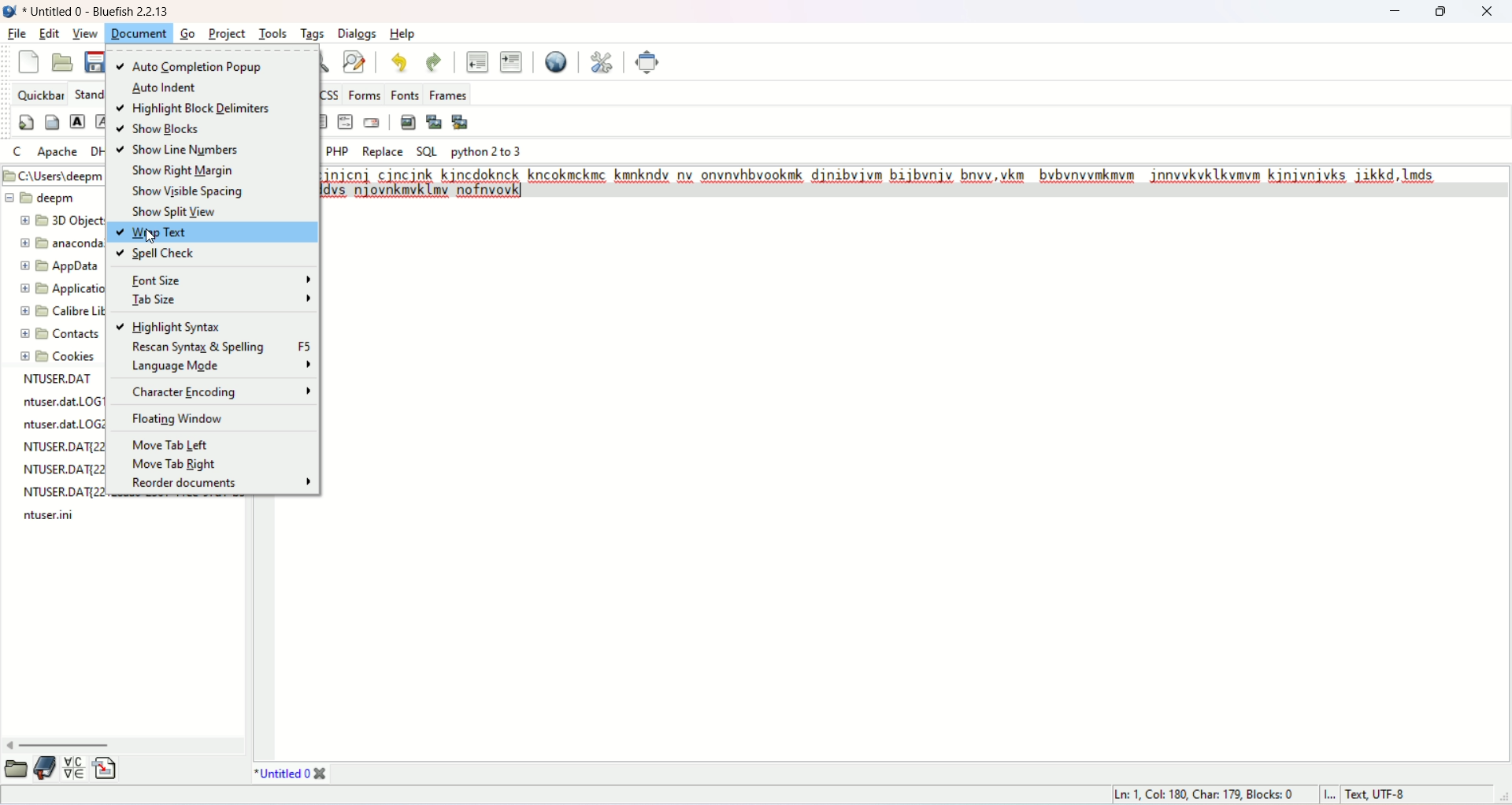 The image size is (1512, 805). What do you see at coordinates (181, 418) in the screenshot?
I see `floating window` at bounding box center [181, 418].